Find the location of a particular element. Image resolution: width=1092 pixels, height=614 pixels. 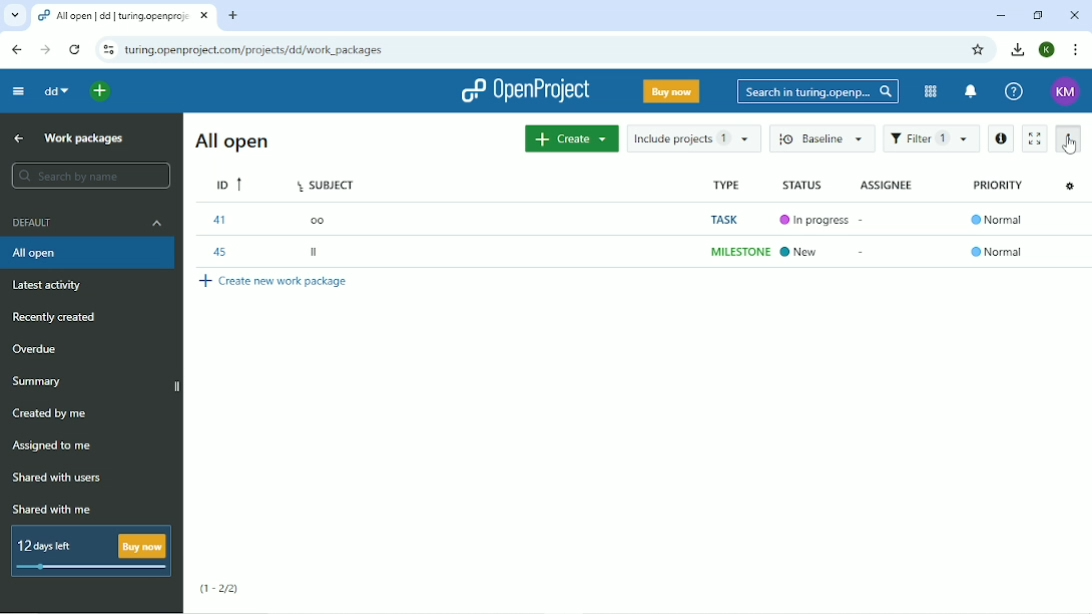

ll is located at coordinates (317, 251).